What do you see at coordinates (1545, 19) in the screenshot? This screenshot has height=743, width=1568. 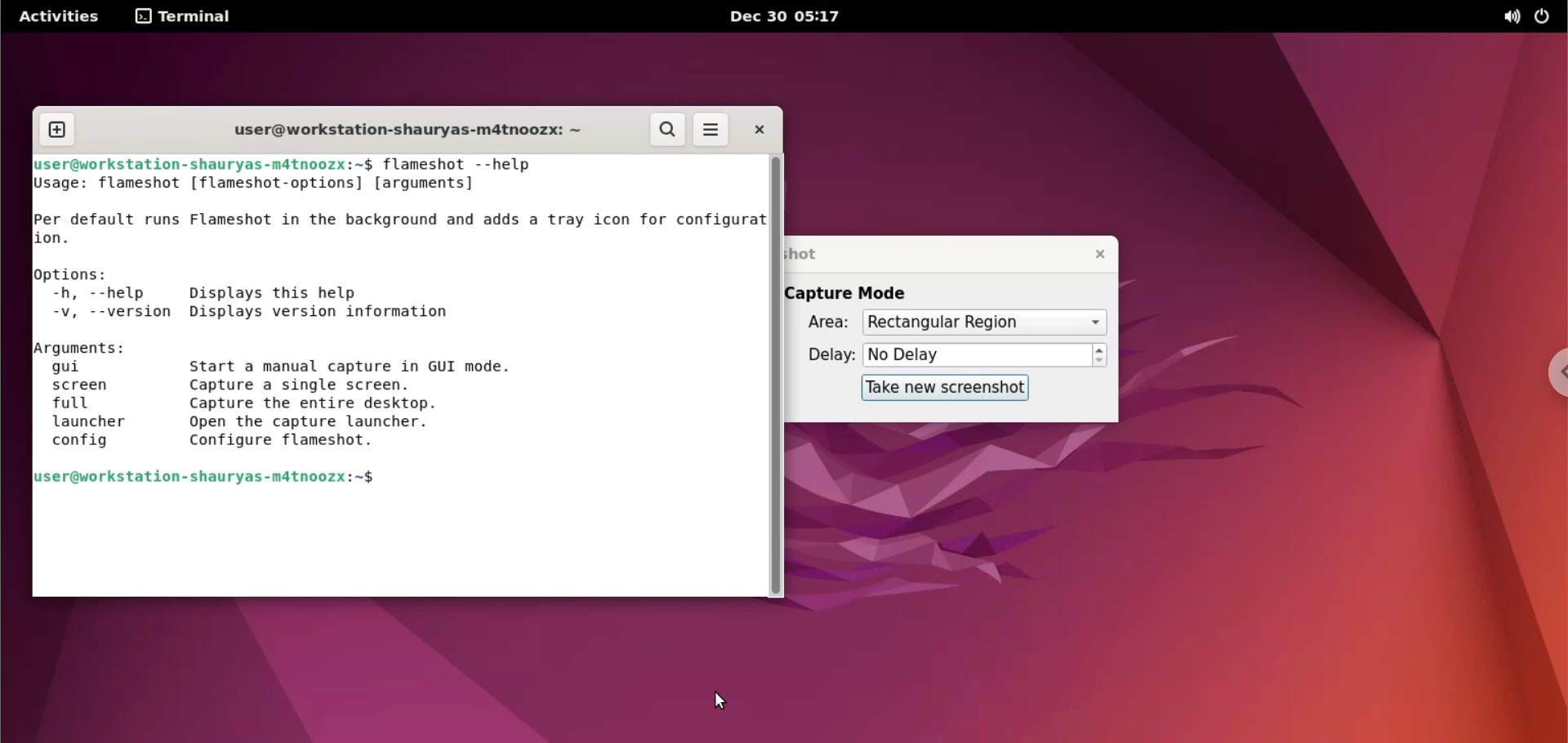 I see `power options` at bounding box center [1545, 19].